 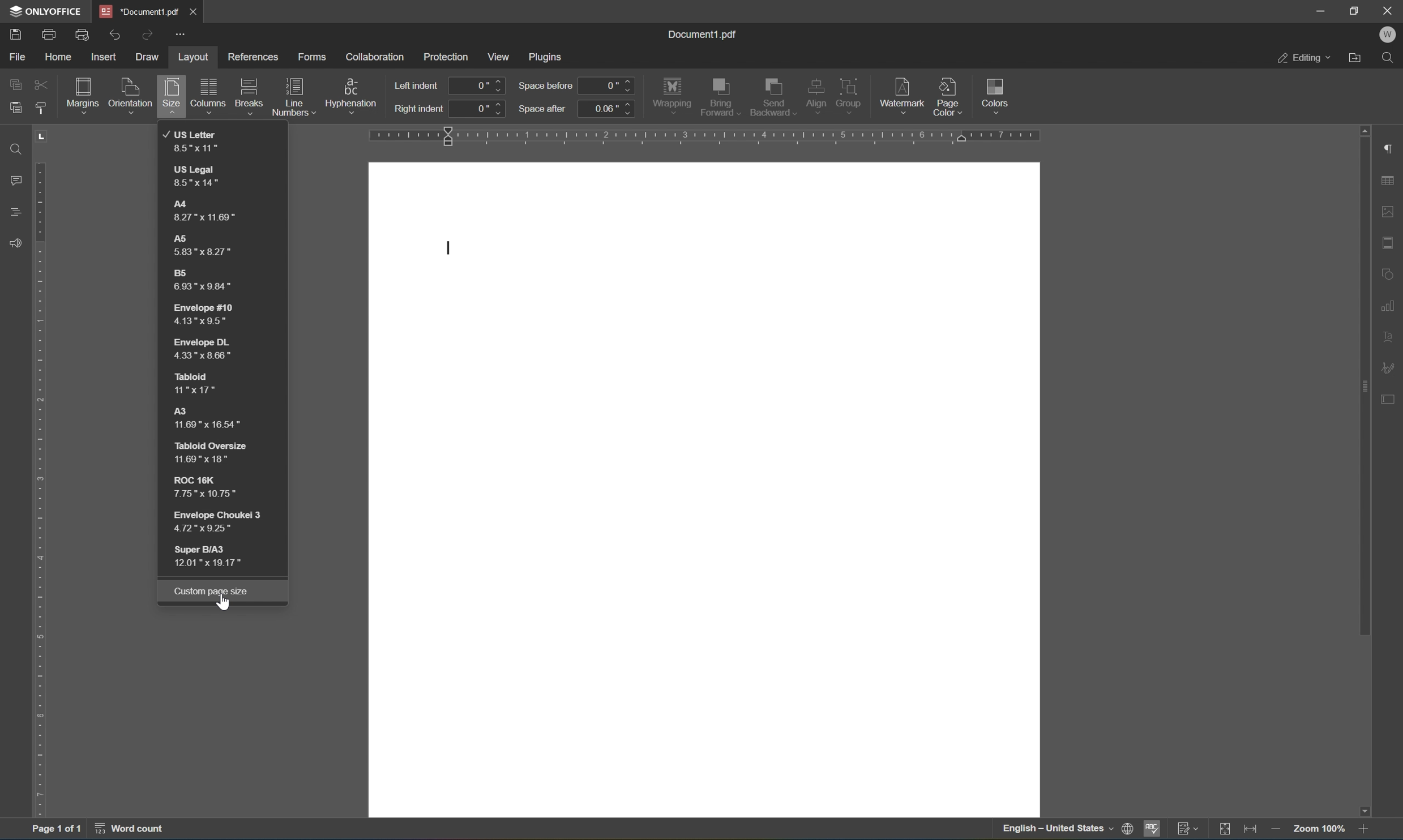 I want to click on headings, so click(x=12, y=213).